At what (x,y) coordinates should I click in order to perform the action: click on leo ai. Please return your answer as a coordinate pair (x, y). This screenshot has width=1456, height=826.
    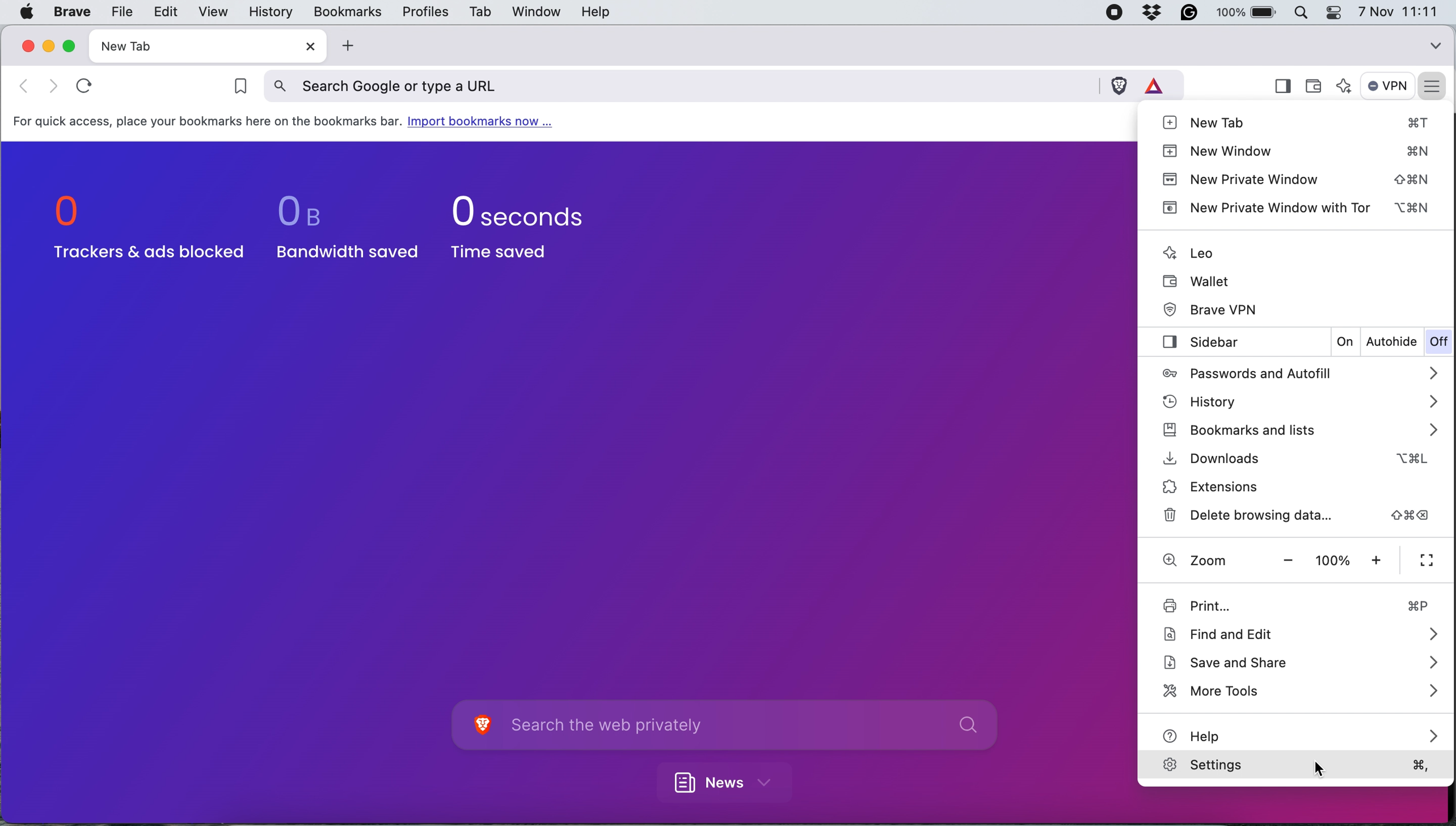
    Looking at the image, I should click on (1345, 88).